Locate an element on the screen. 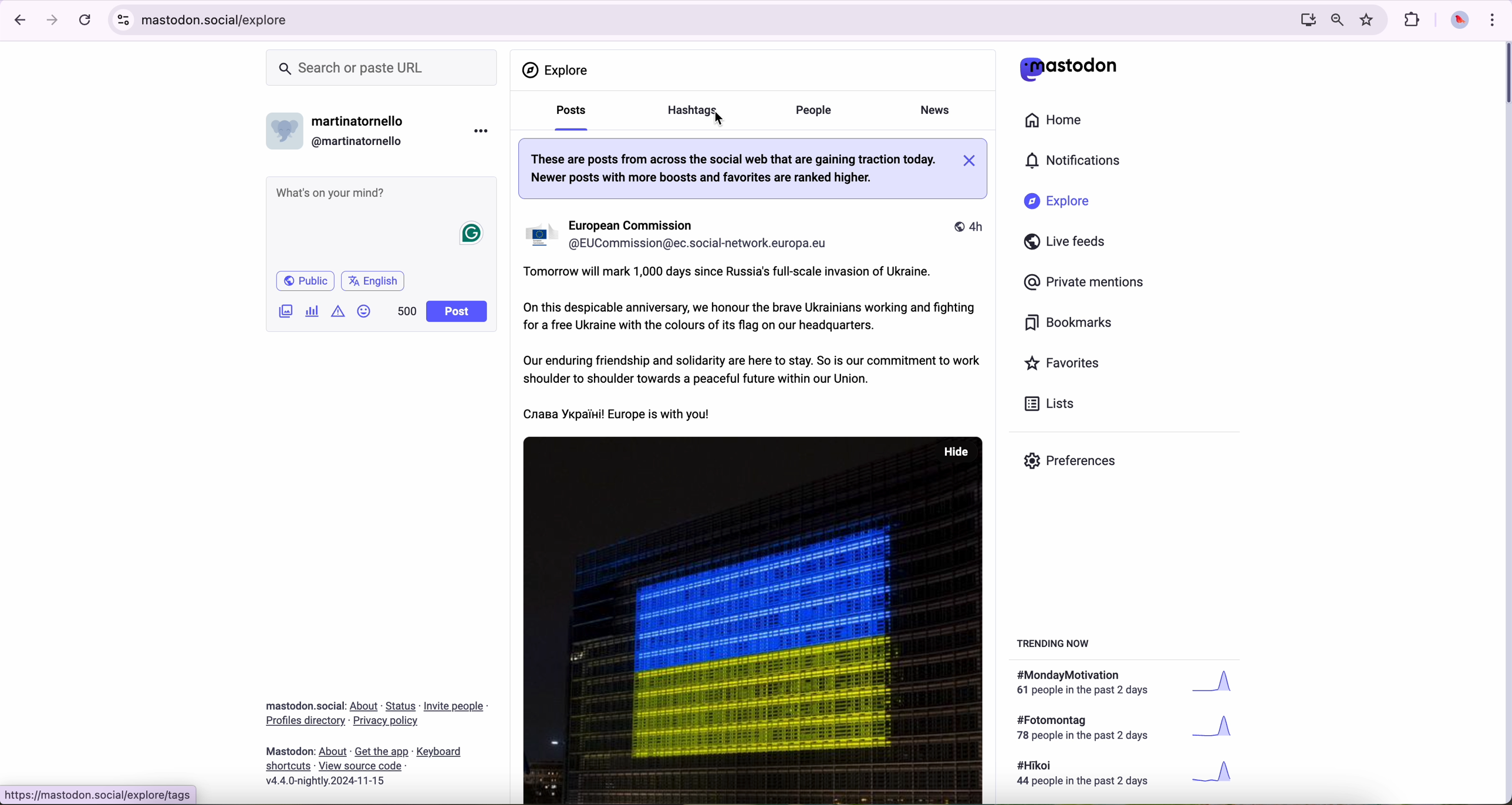 The image size is (1512, 805). link is located at coordinates (333, 752).